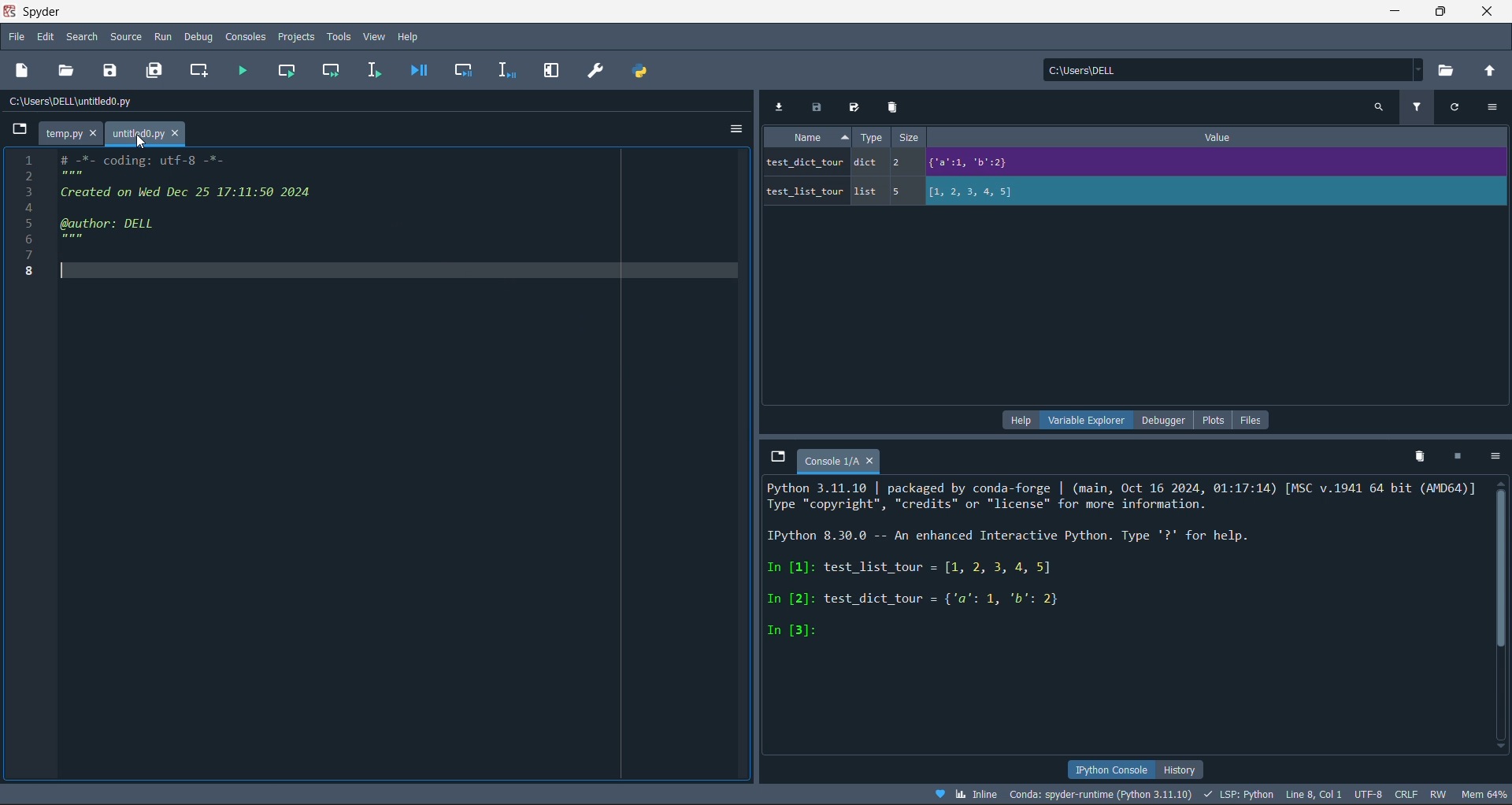  Describe the element at coordinates (726, 127) in the screenshot. I see `options` at that location.